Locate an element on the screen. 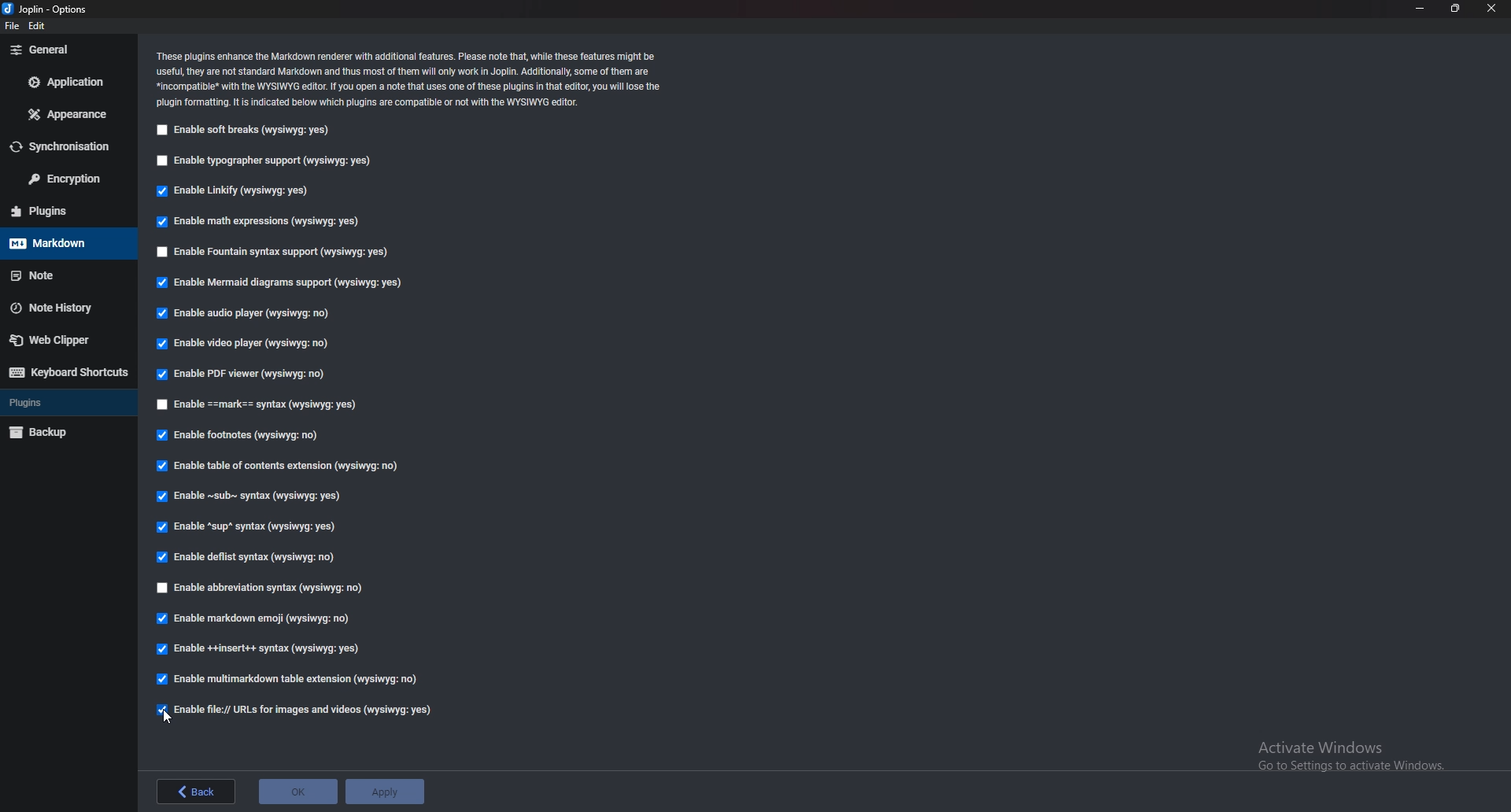  Enable P D F viewer is located at coordinates (243, 374).